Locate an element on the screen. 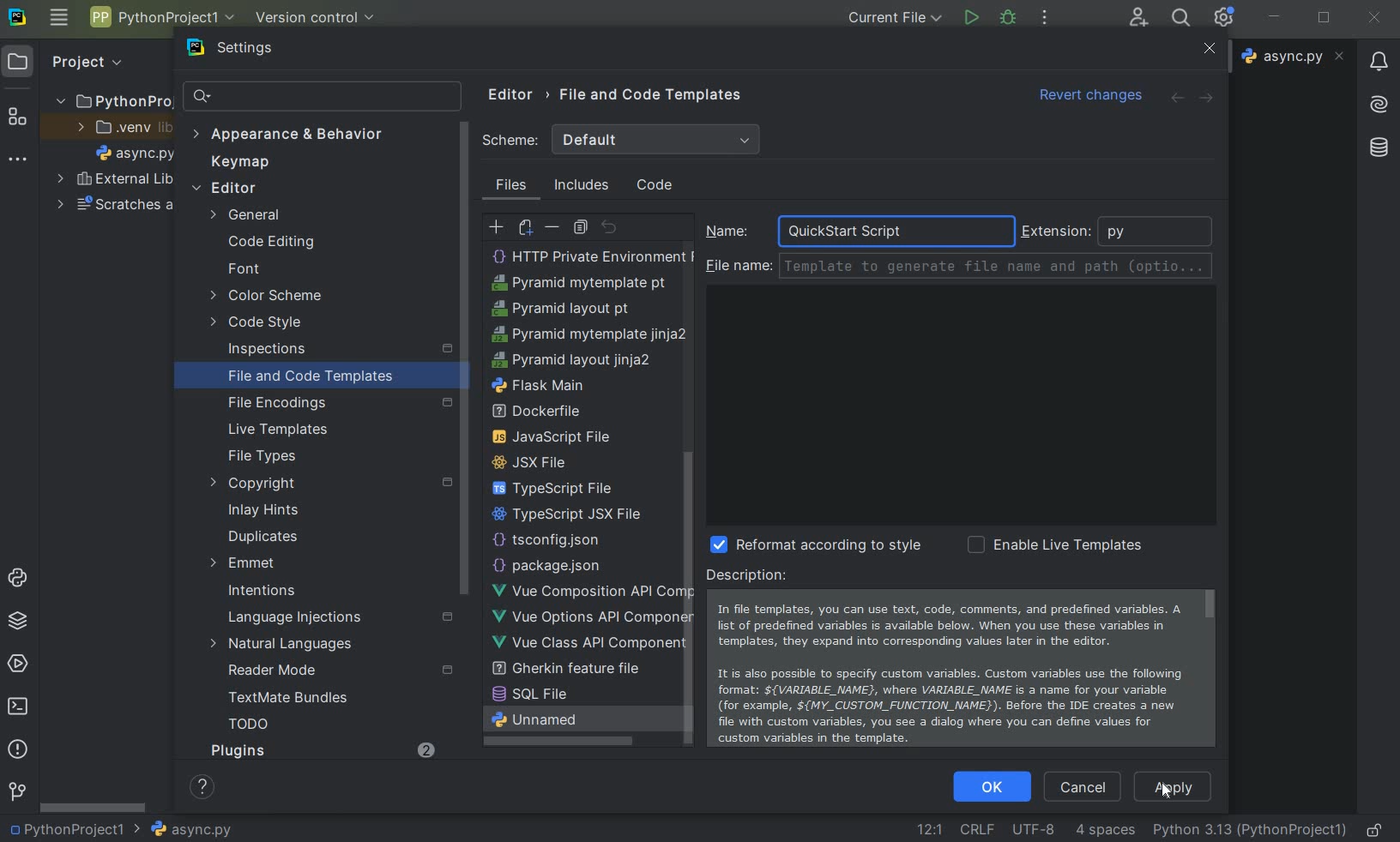 The image size is (1400, 842). scheme is located at coordinates (619, 140).